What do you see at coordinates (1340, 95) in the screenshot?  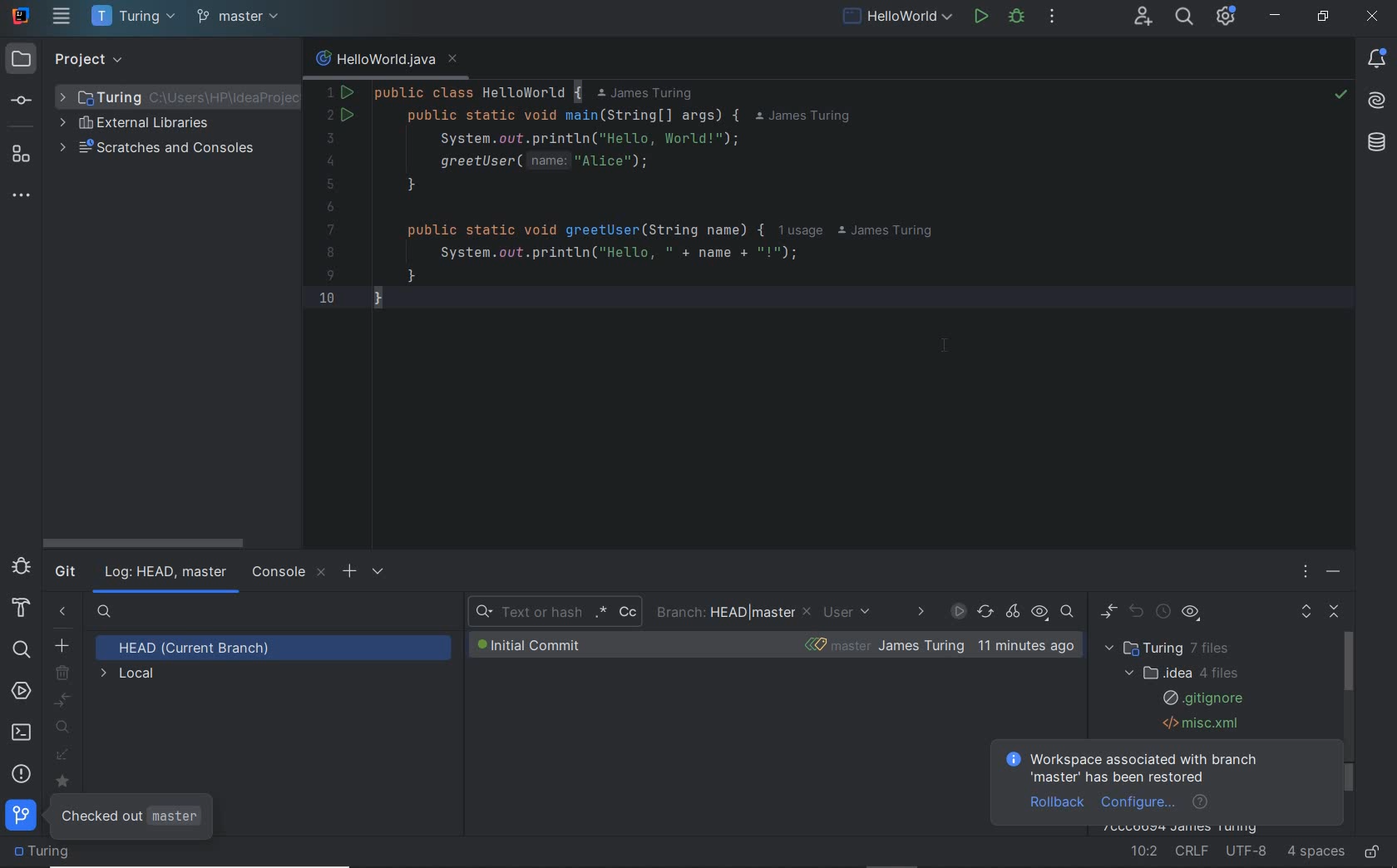 I see `no highlighted error` at bounding box center [1340, 95].